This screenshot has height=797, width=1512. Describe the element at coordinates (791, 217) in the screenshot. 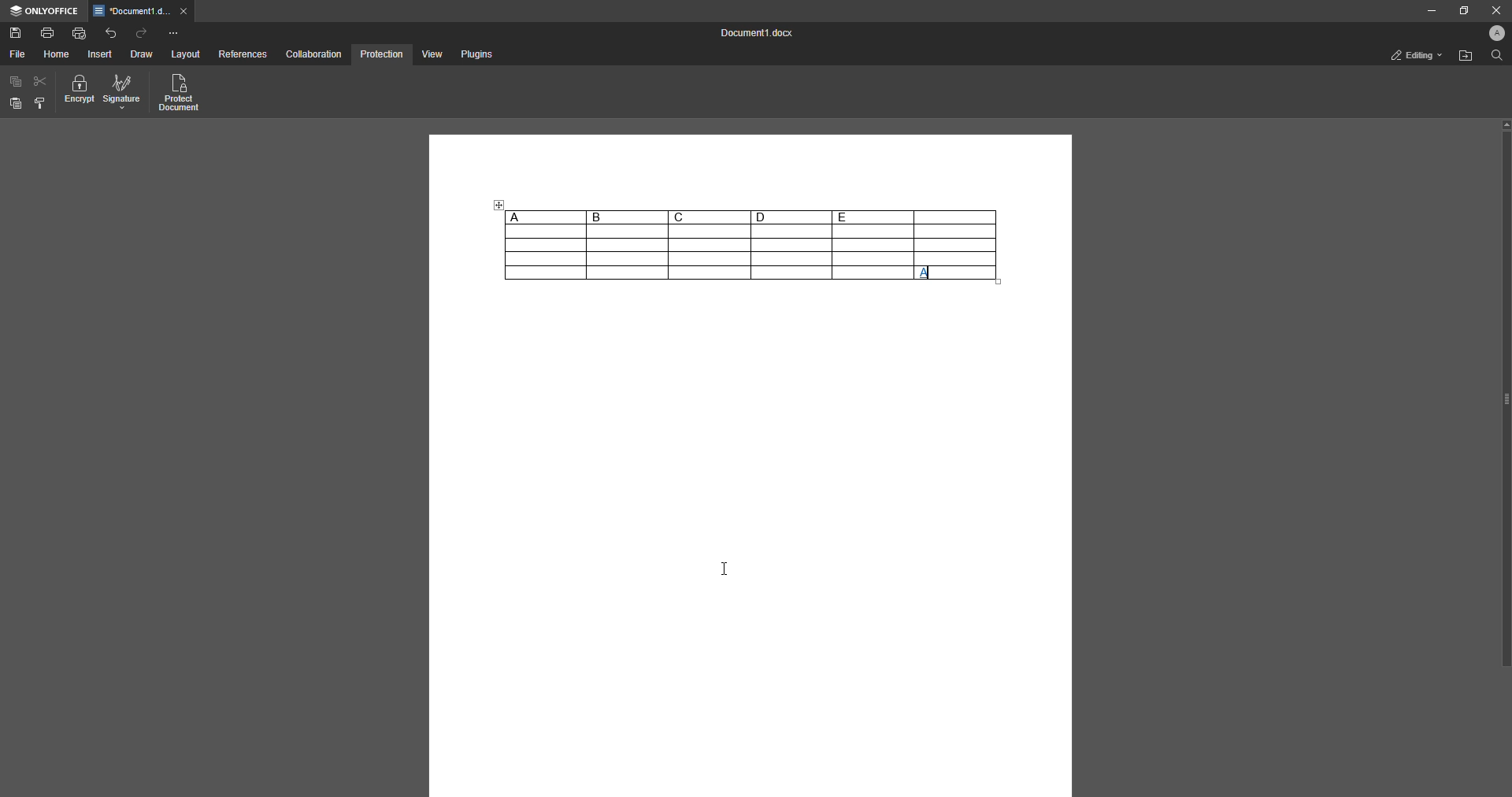

I see `D` at that location.